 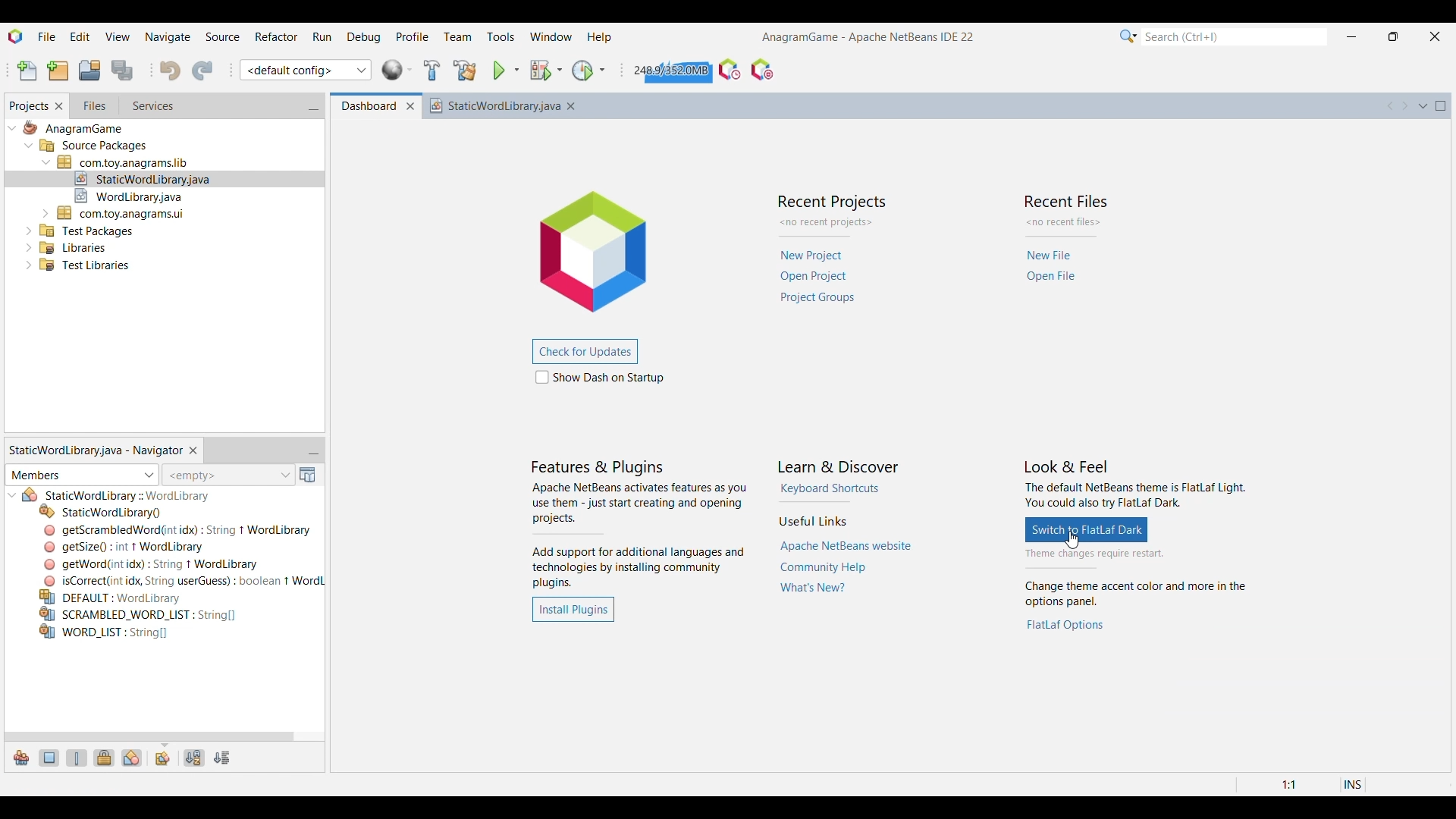 I want to click on Static world library tab, so click(x=95, y=450).